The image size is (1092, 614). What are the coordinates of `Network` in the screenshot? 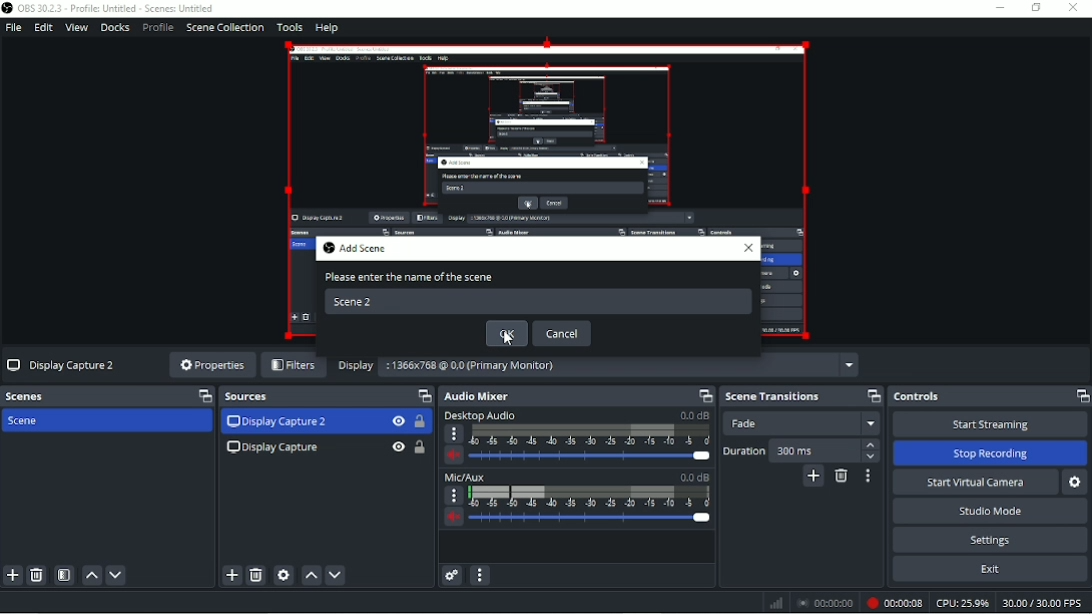 It's located at (774, 602).